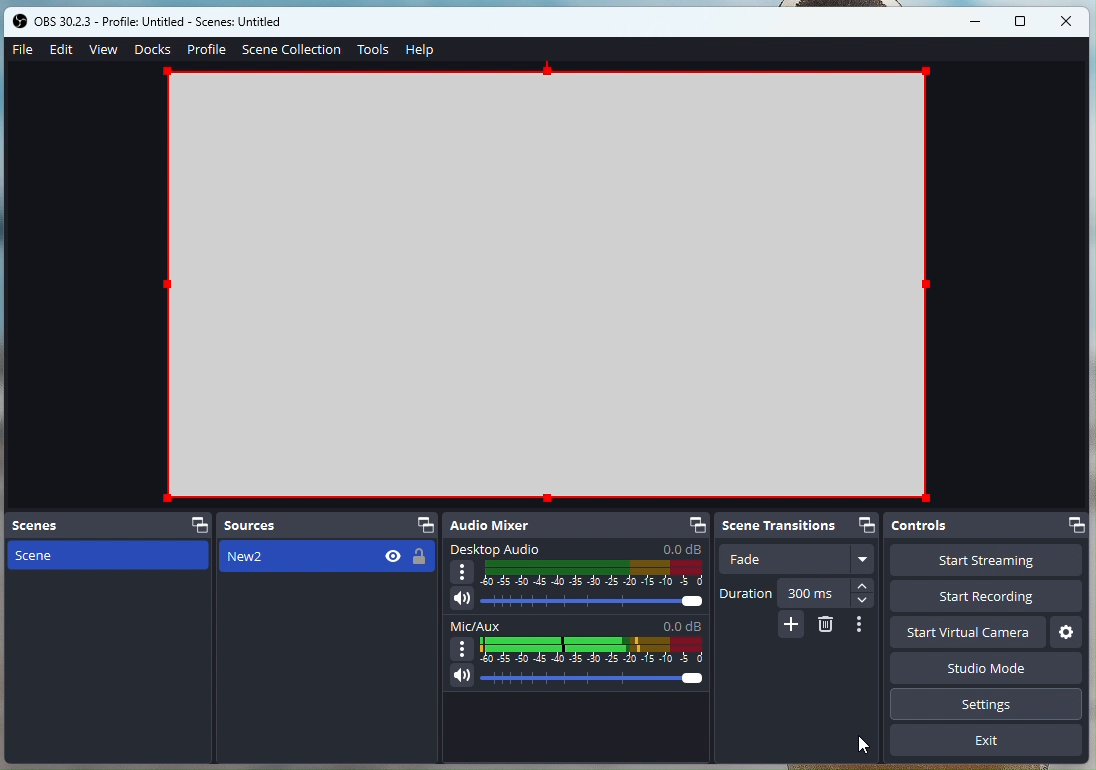 This screenshot has width=1096, height=770. Describe the element at coordinates (981, 21) in the screenshot. I see `minimise` at that location.